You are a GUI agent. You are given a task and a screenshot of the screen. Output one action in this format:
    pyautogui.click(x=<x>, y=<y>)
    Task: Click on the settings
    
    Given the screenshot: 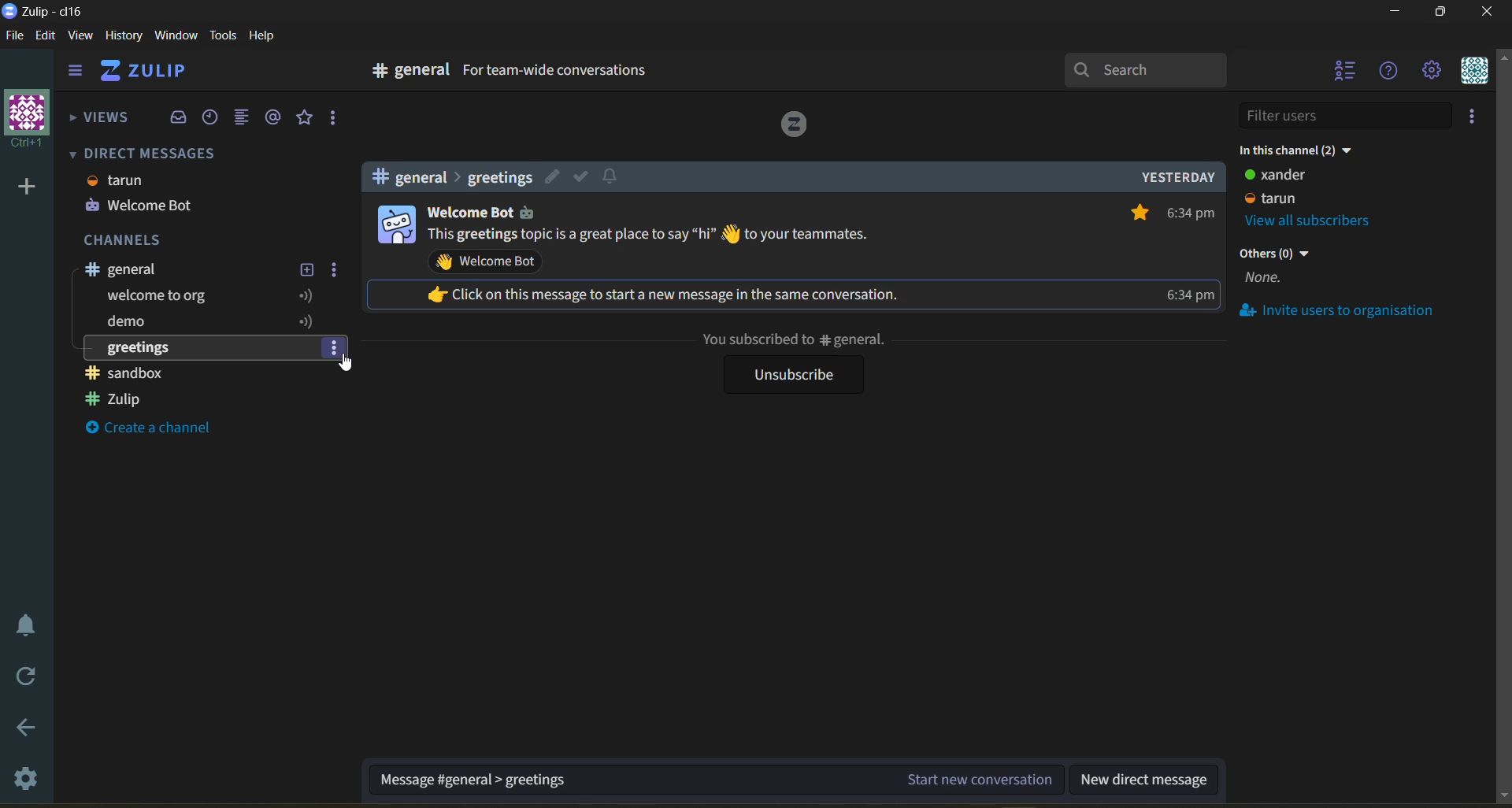 What is the action you would take?
    pyautogui.click(x=24, y=777)
    